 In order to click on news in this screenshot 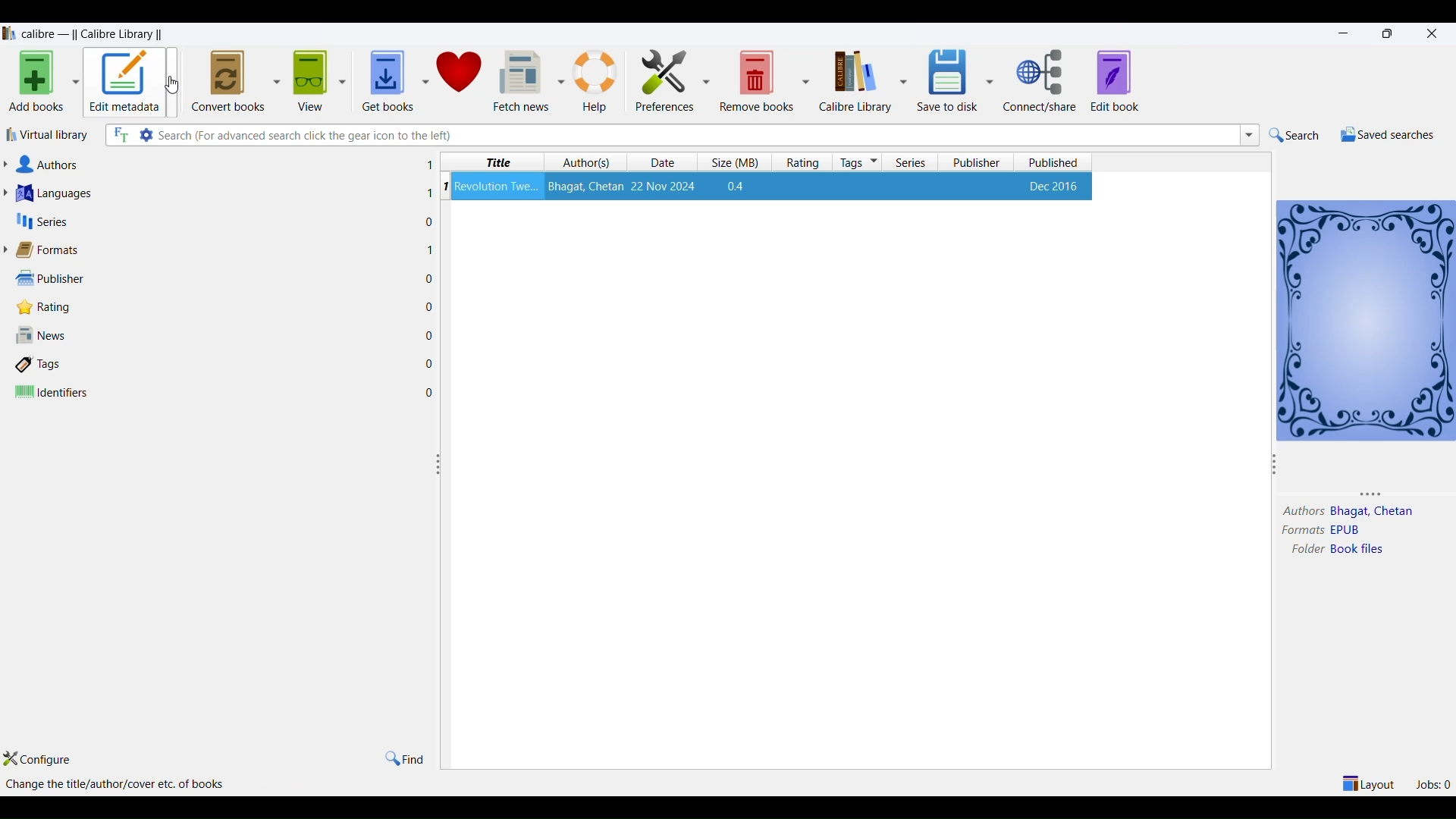, I will do `click(43, 337)`.